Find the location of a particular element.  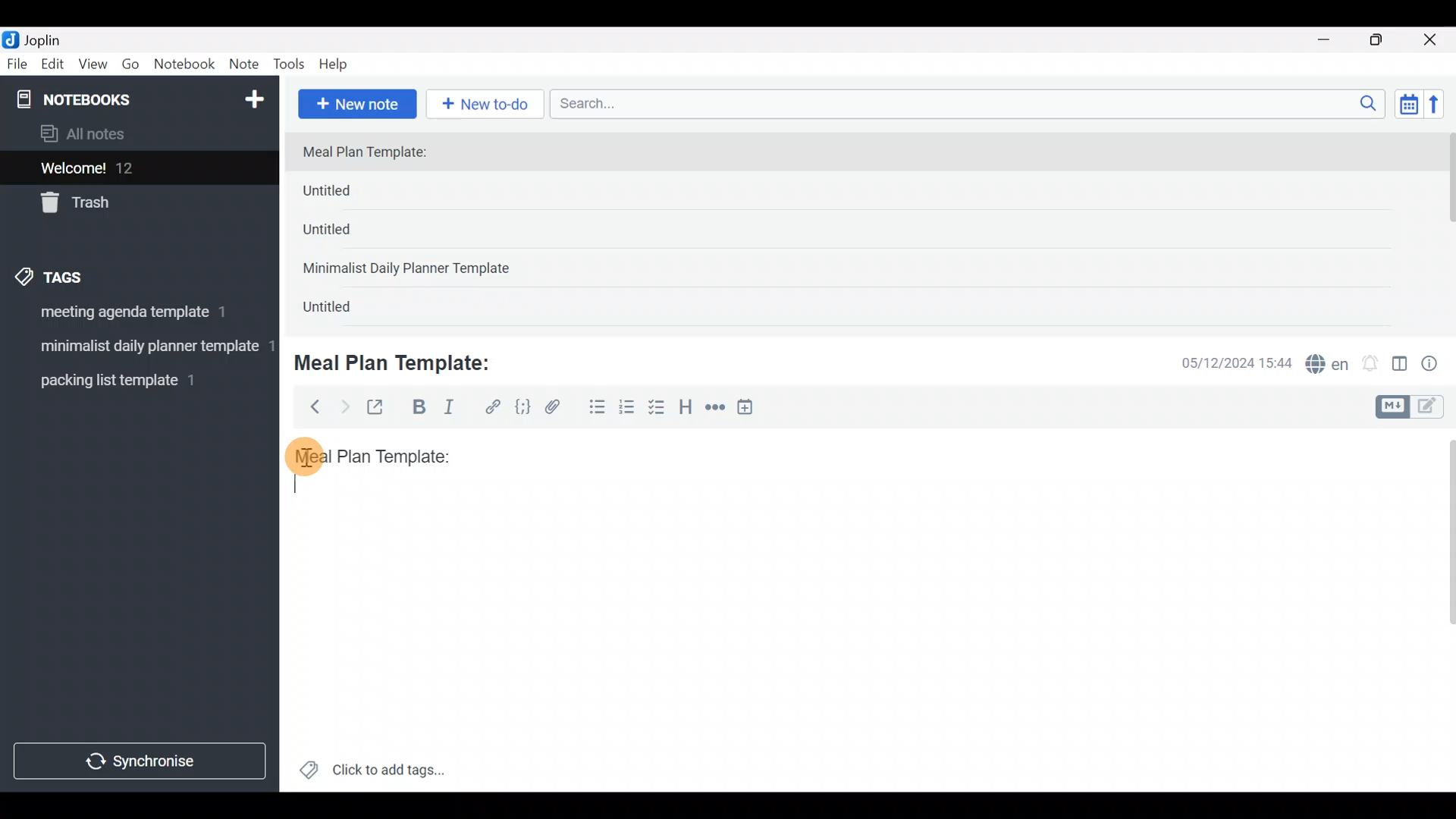

Meal plan template is located at coordinates (374, 454).